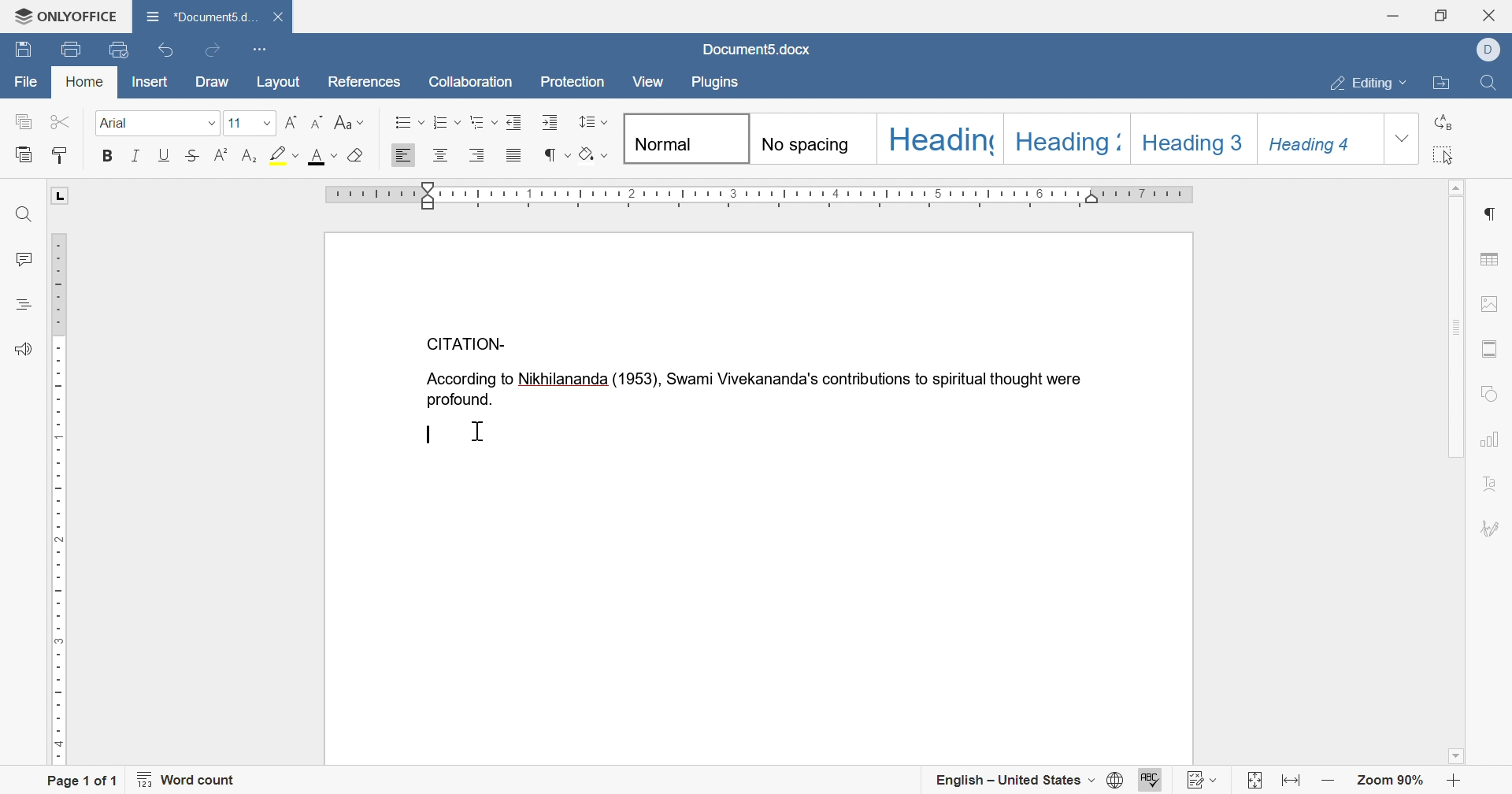 The width and height of the screenshot is (1512, 794). I want to click on subscript, so click(249, 158).